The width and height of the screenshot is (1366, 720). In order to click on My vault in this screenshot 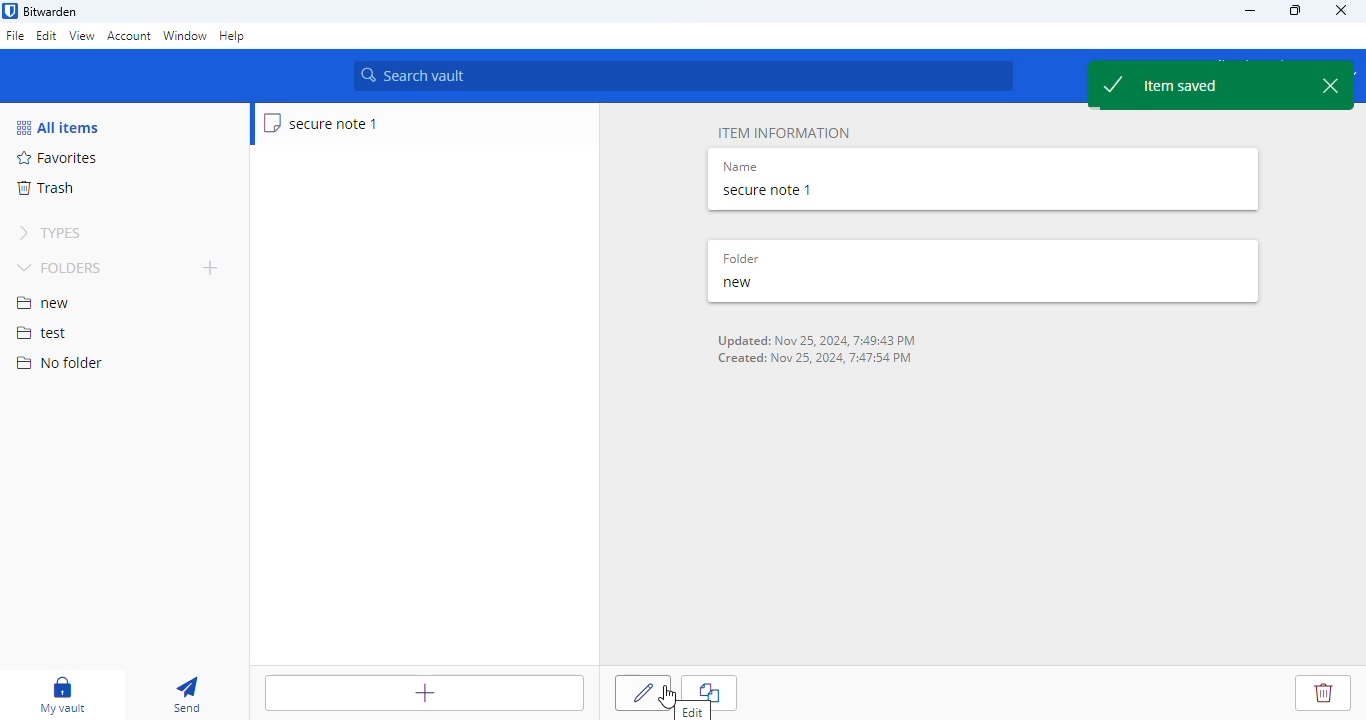, I will do `click(59, 694)`.